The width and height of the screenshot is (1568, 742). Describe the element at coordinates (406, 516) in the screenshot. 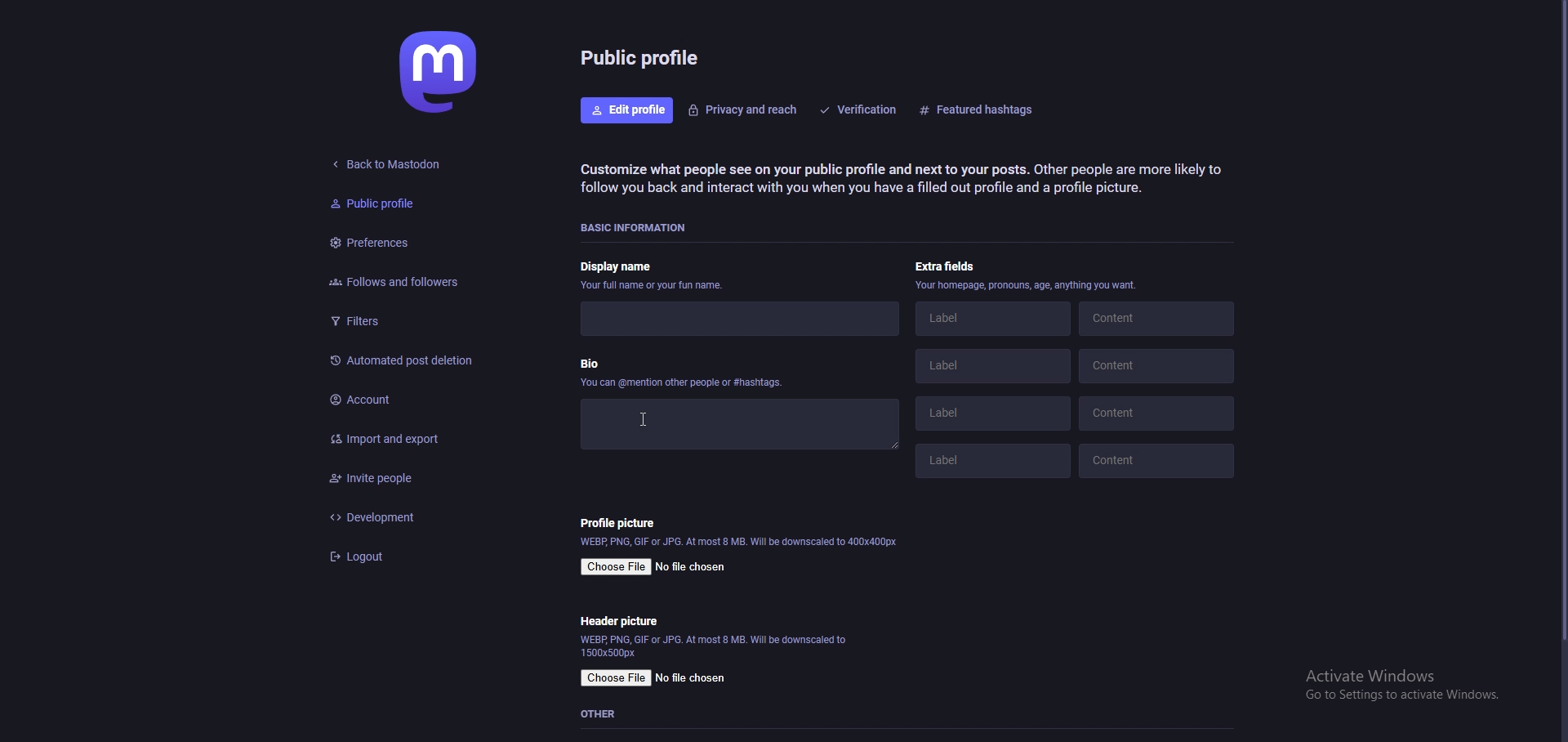

I see `development` at that location.